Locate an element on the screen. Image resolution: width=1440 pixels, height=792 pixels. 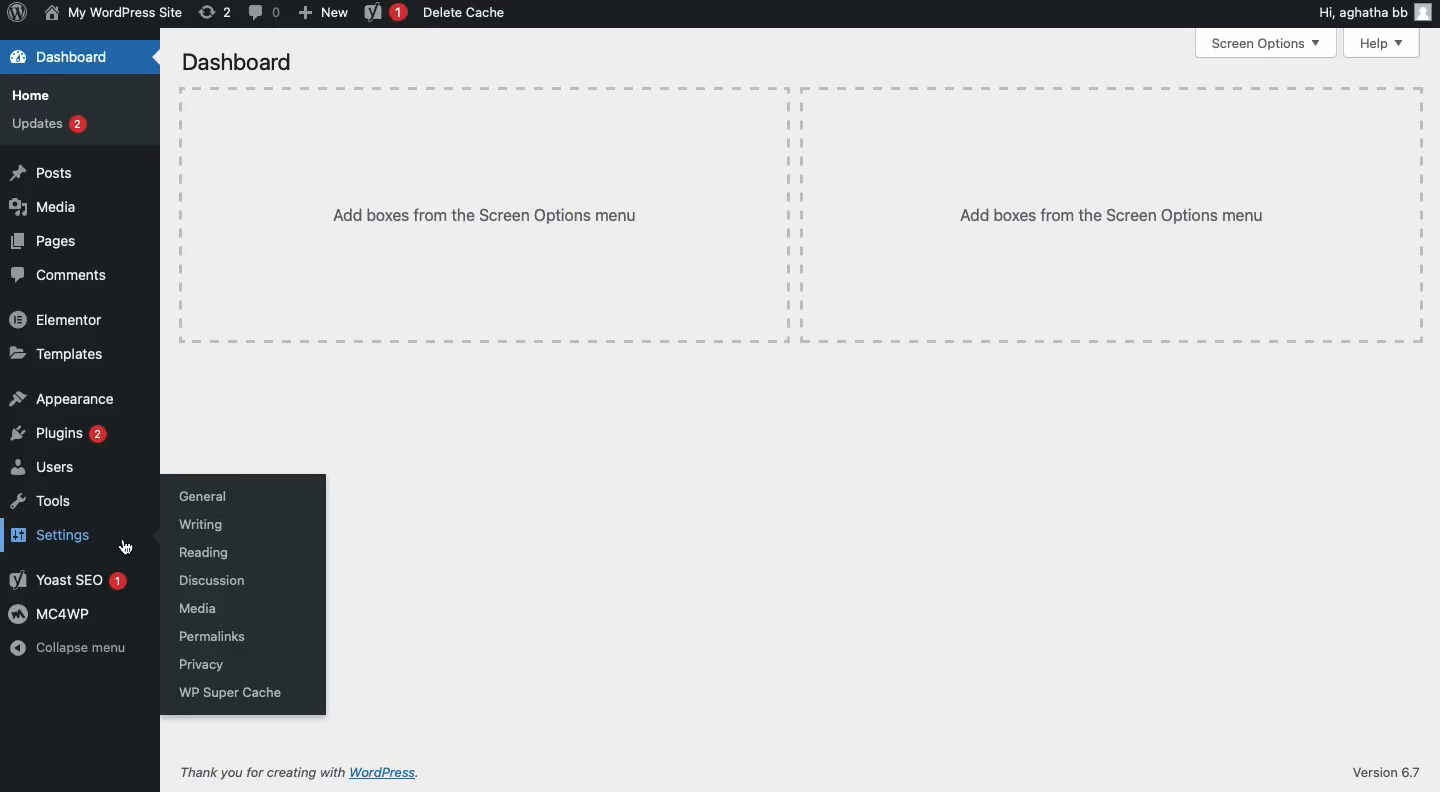
WordPress. is located at coordinates (386, 771).